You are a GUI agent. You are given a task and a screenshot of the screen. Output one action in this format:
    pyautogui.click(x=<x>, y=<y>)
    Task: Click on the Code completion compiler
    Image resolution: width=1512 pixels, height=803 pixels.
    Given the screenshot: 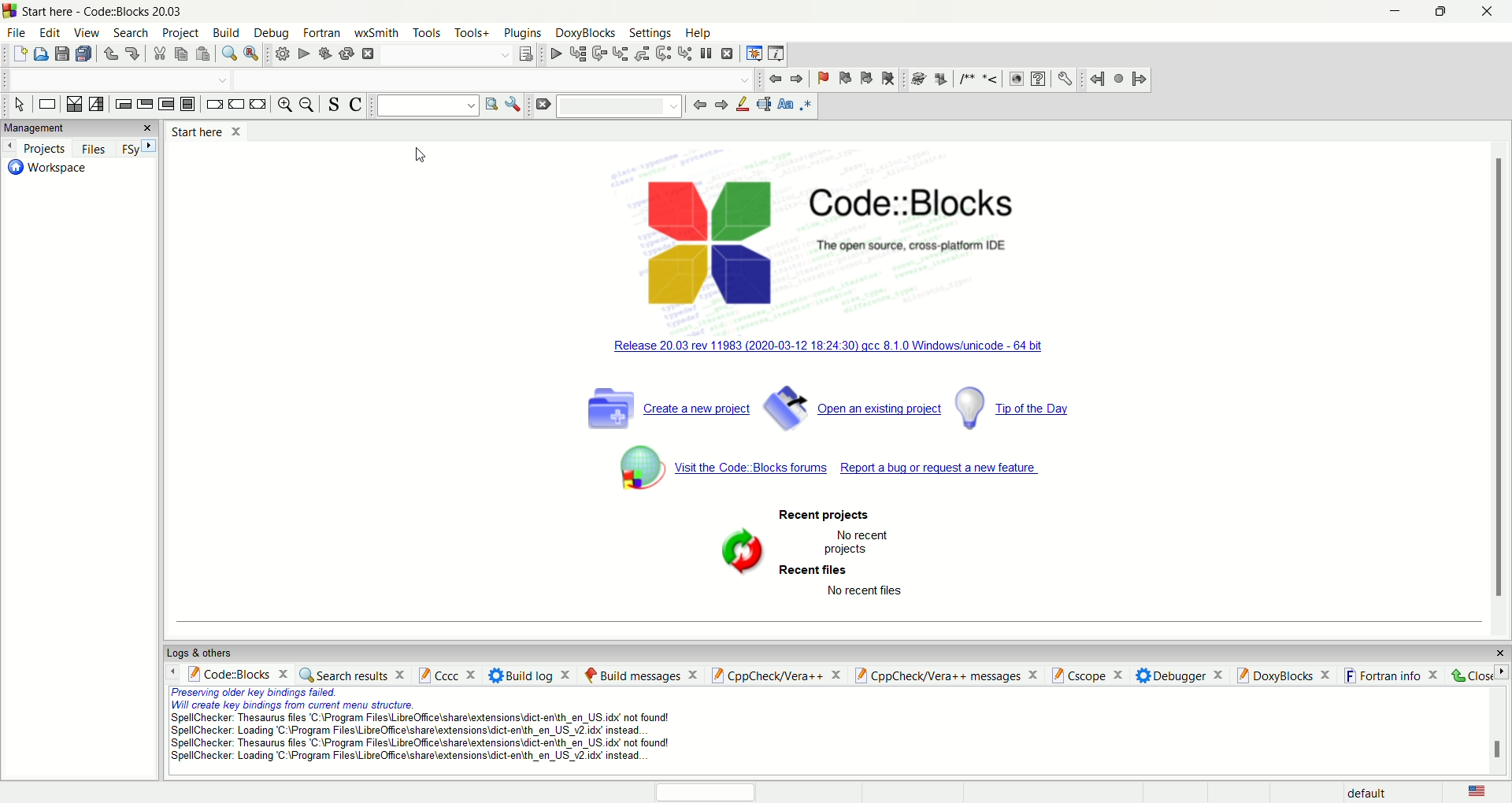 What is the action you would take?
    pyautogui.click(x=114, y=81)
    